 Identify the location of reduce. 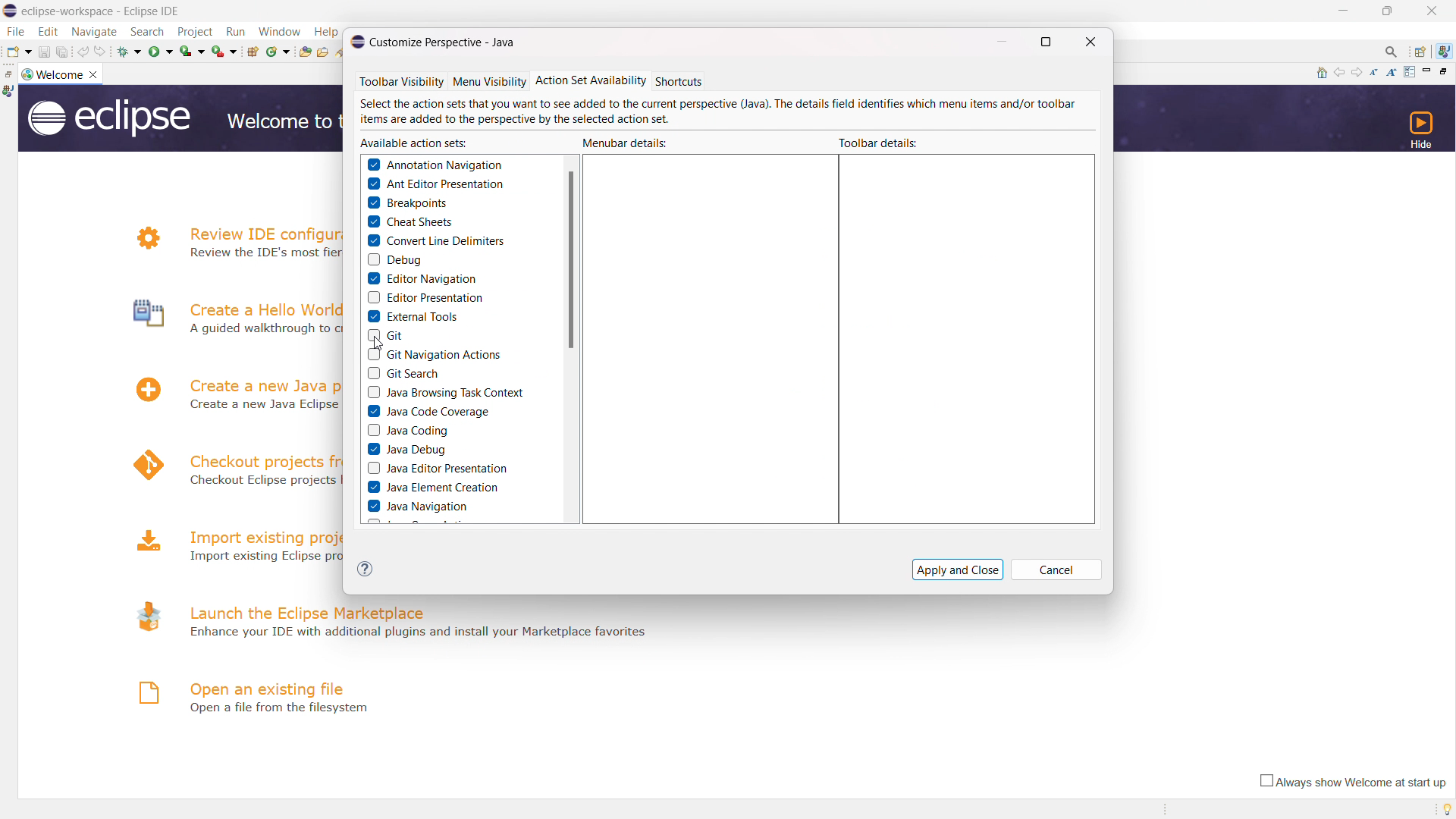
(1376, 72).